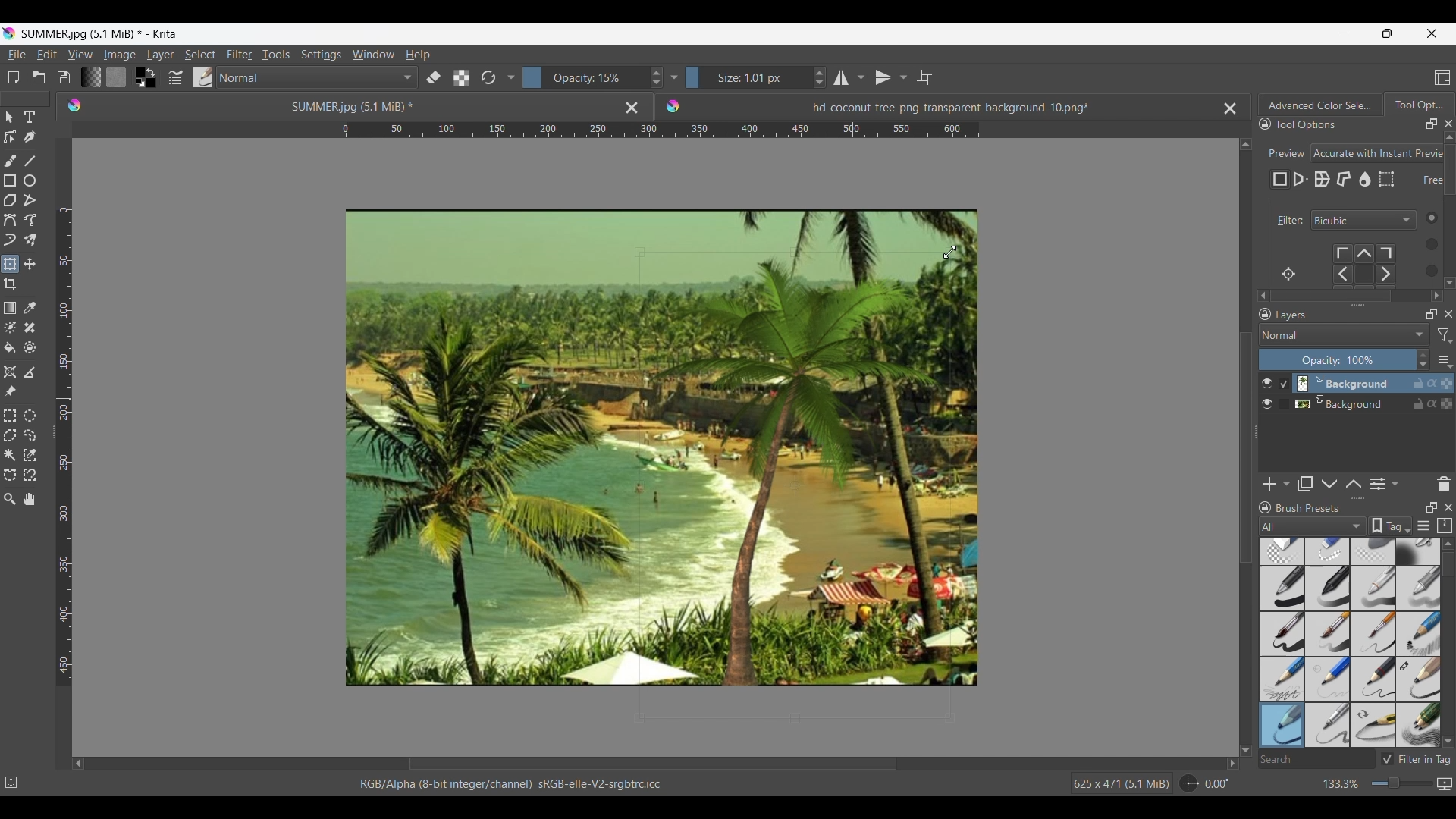 The image size is (1456, 819). What do you see at coordinates (1371, 265) in the screenshot?
I see `Controls` at bounding box center [1371, 265].